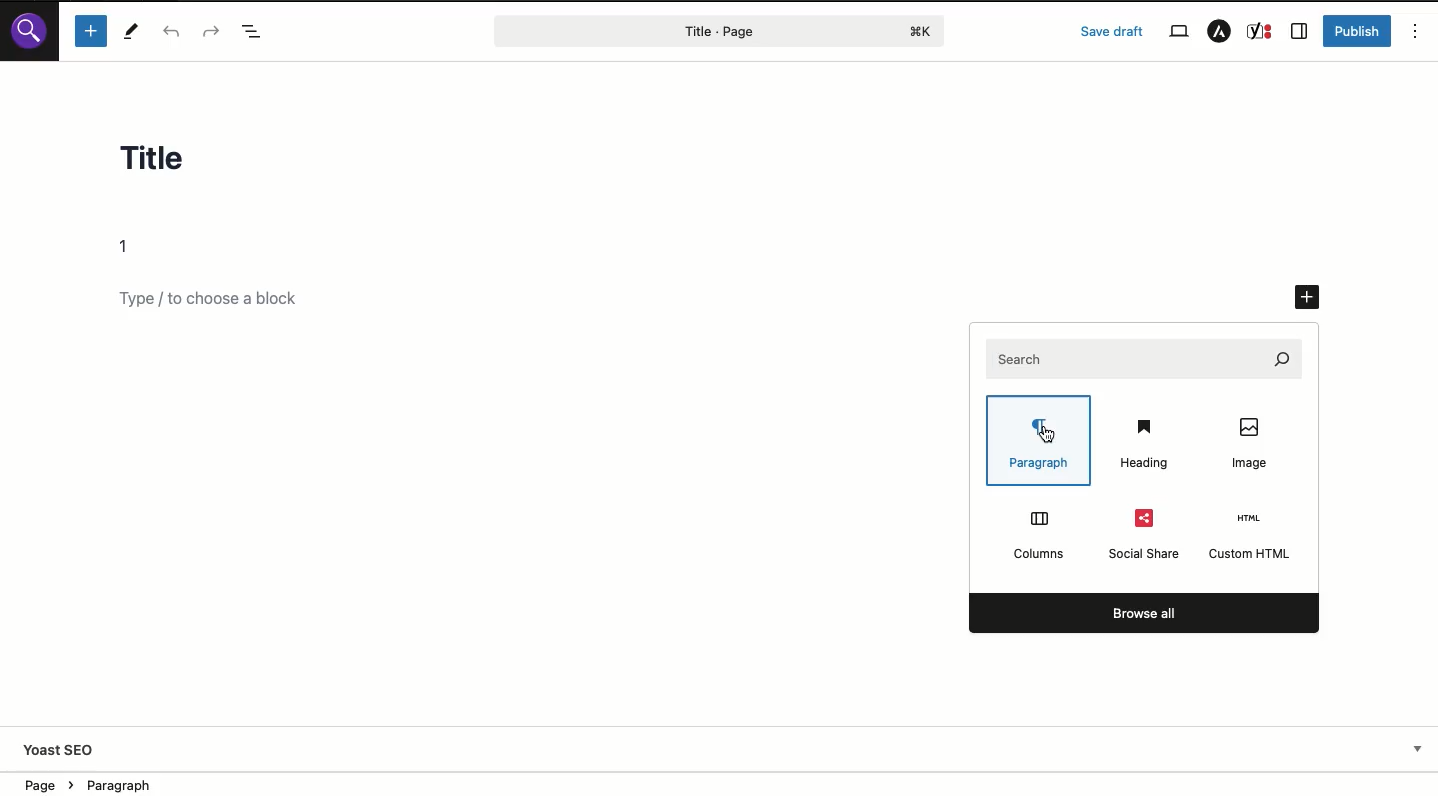 The height and width of the screenshot is (796, 1438). Describe the element at coordinates (1359, 31) in the screenshot. I see `Publish` at that location.